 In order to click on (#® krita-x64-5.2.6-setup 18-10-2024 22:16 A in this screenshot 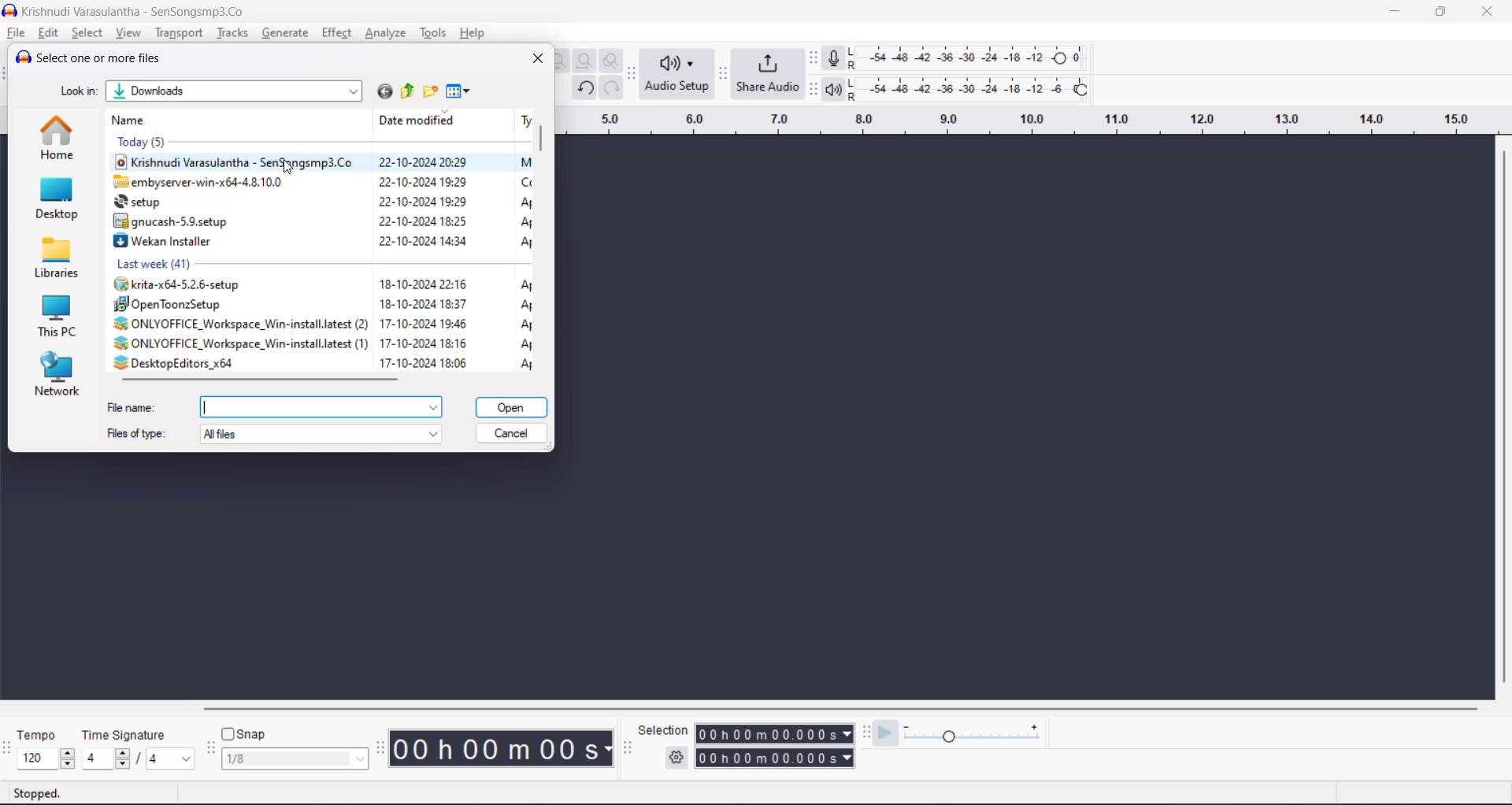, I will do `click(321, 283)`.